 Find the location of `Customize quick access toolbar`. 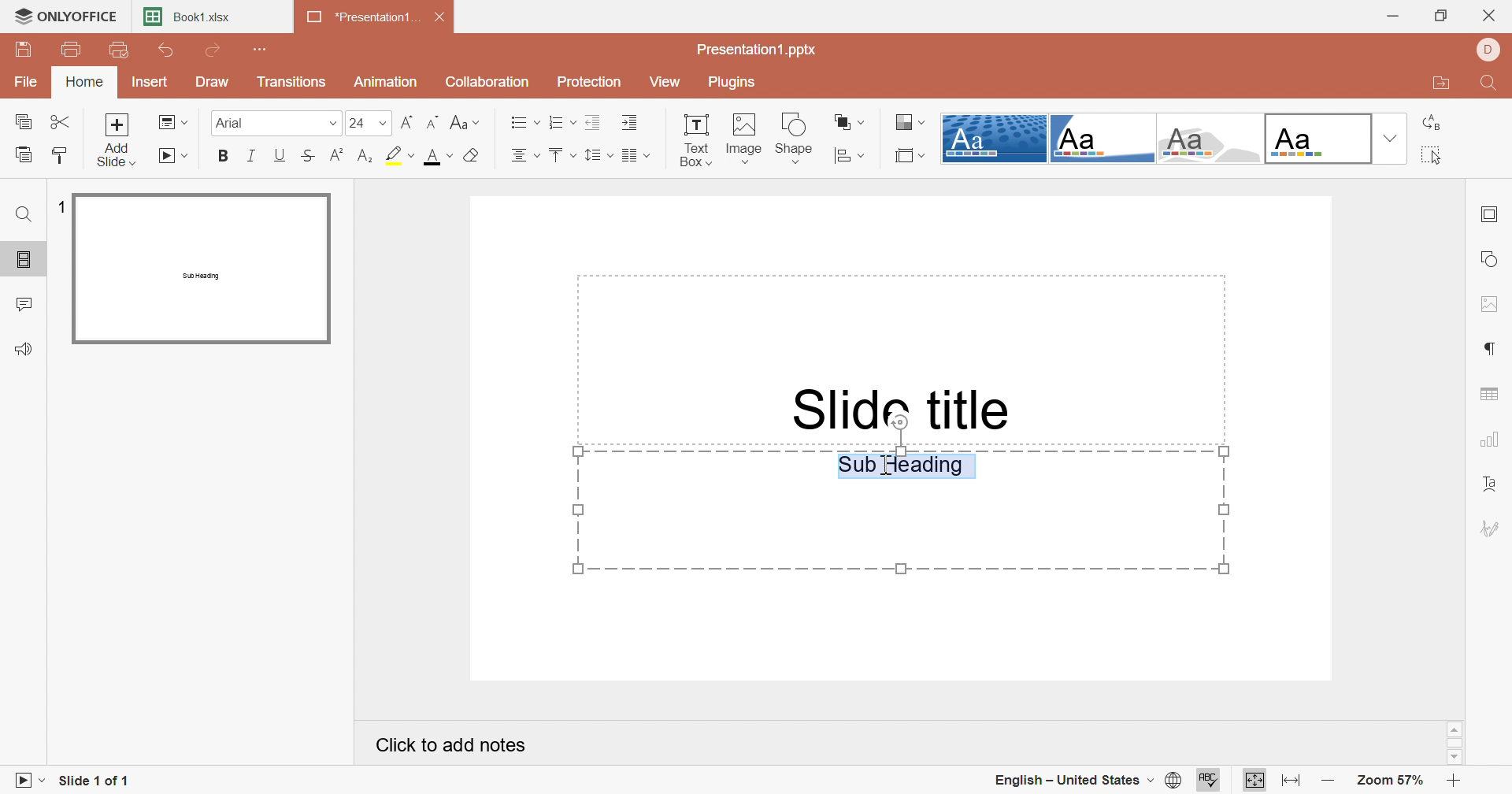

Customize quick access toolbar is located at coordinates (258, 49).